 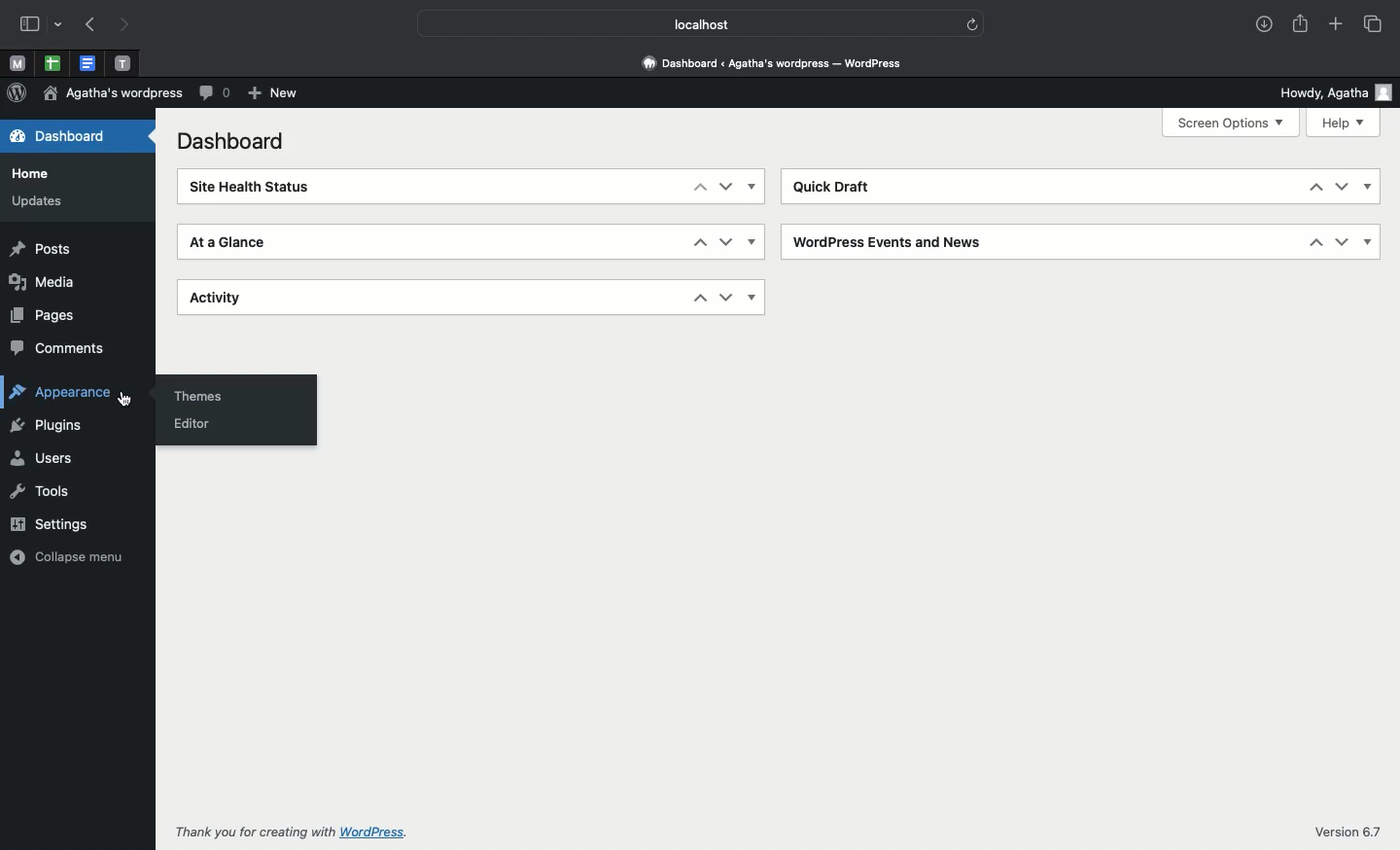 What do you see at coordinates (699, 299) in the screenshot?
I see `Up` at bounding box center [699, 299].